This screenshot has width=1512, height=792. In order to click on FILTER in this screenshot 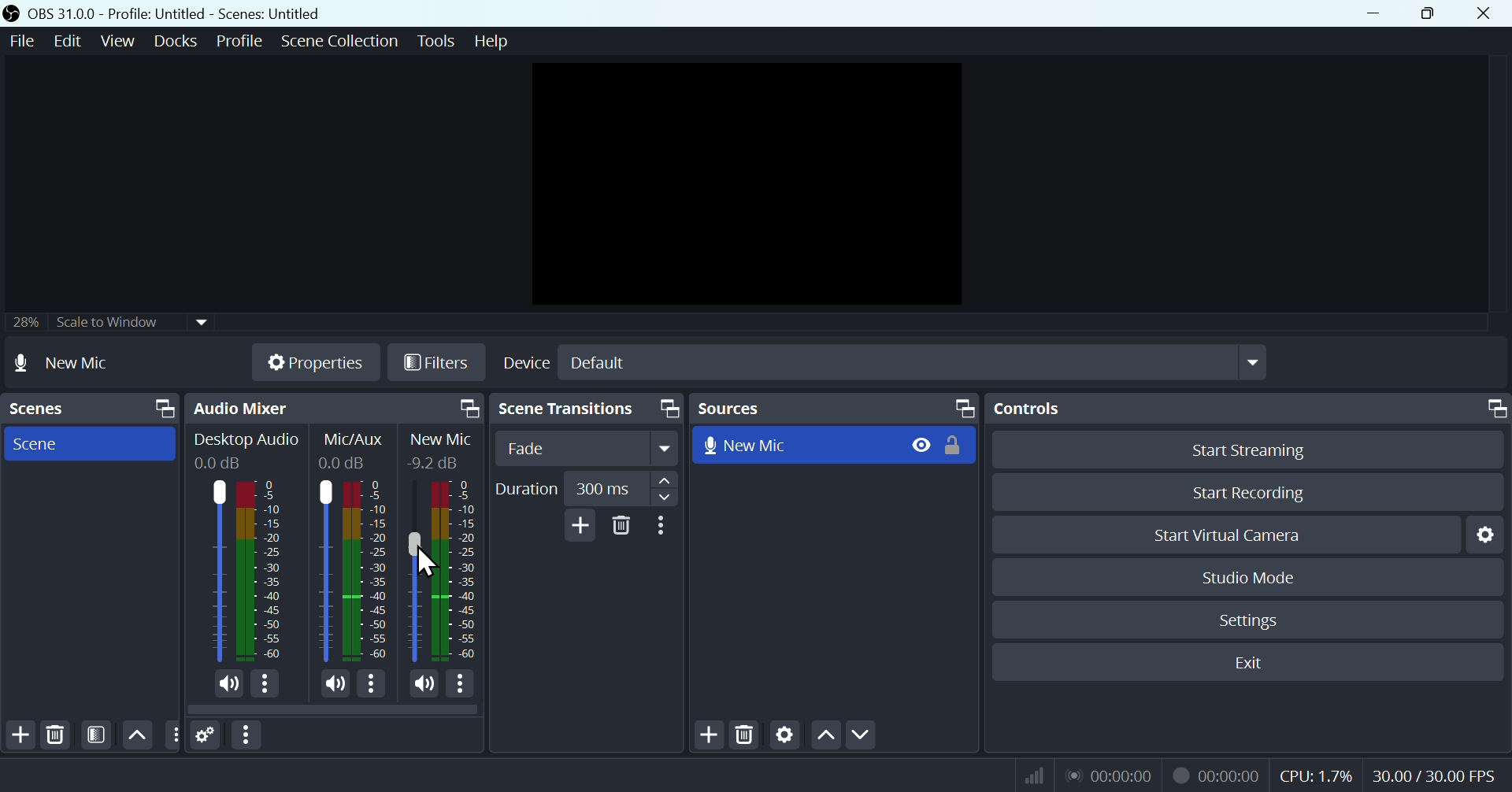, I will do `click(94, 735)`.